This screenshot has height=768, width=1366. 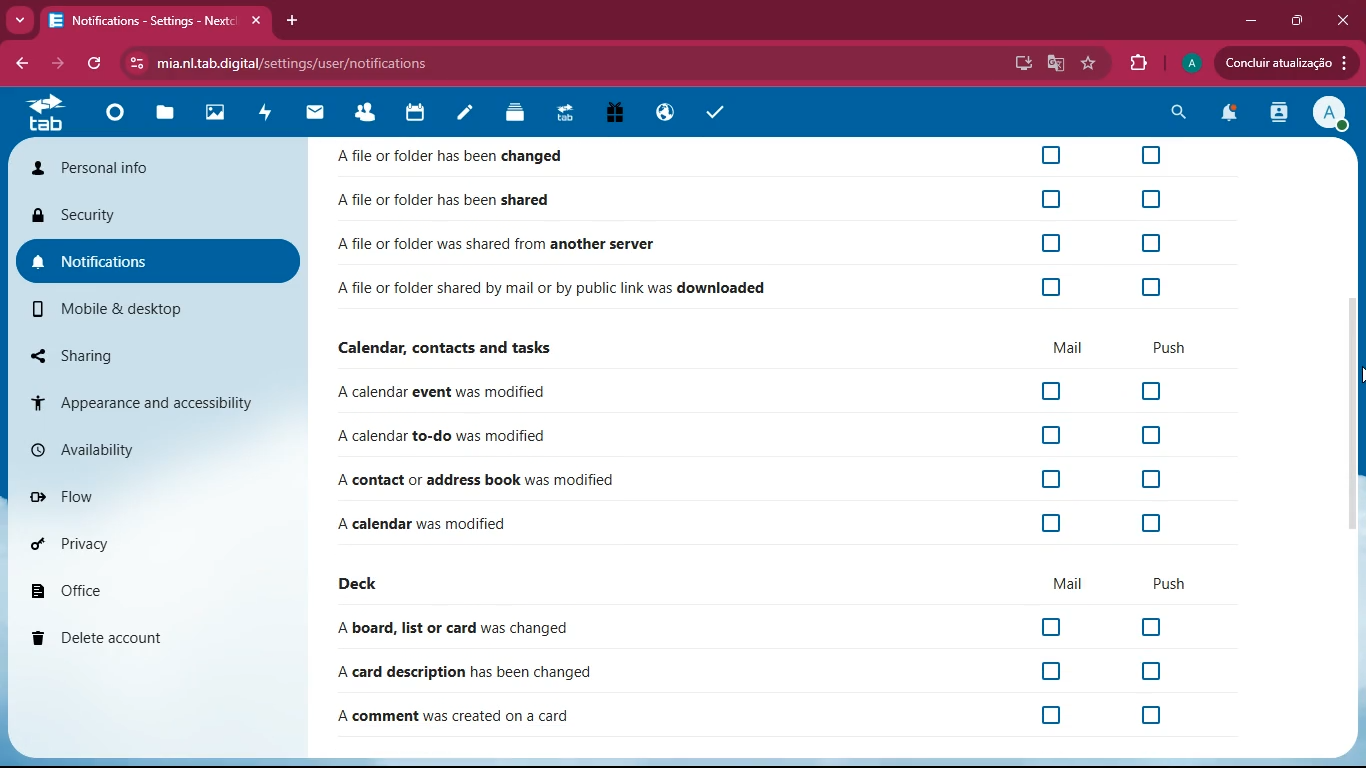 What do you see at coordinates (147, 448) in the screenshot?
I see `availability` at bounding box center [147, 448].